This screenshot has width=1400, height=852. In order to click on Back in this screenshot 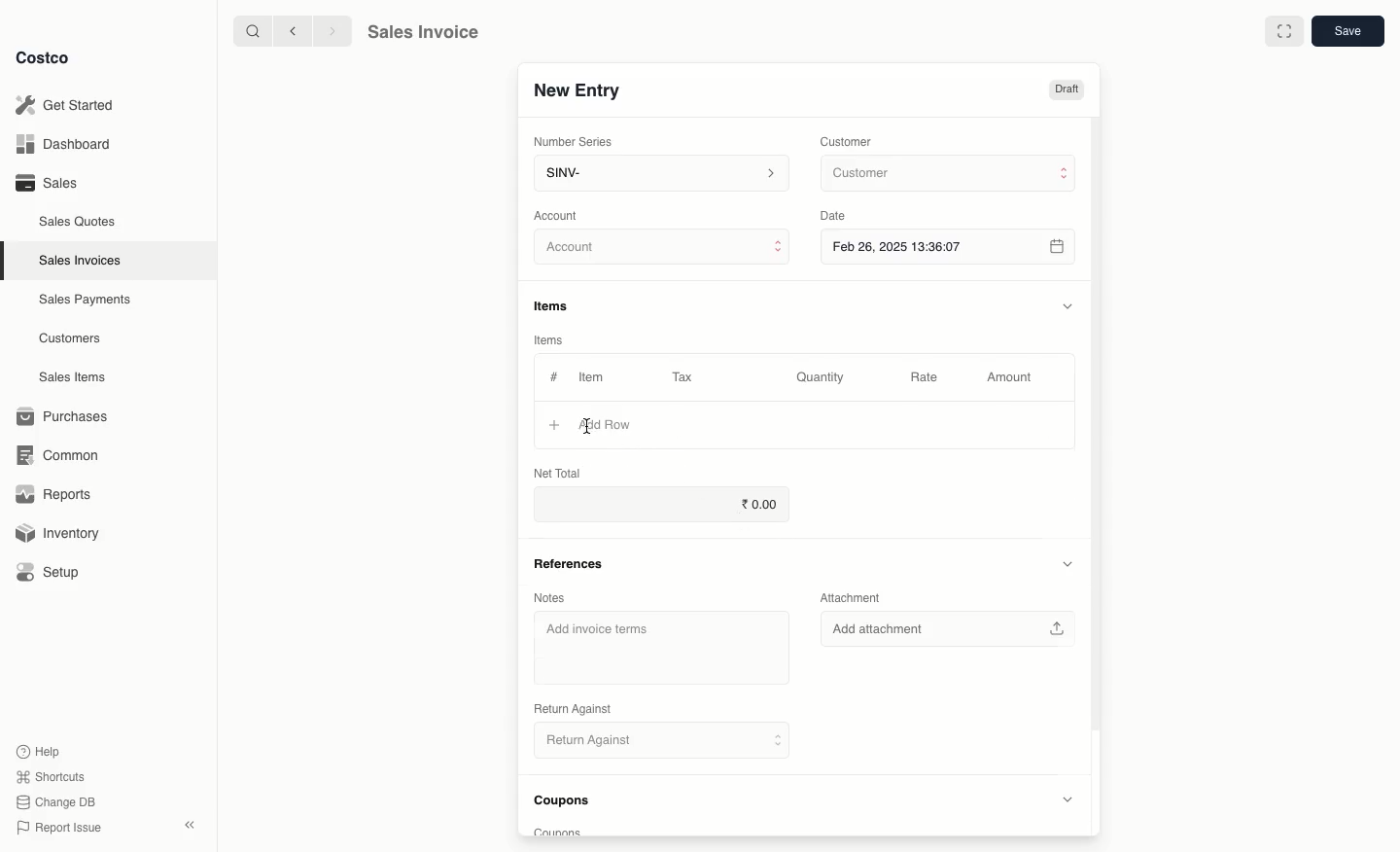, I will do `click(291, 31)`.